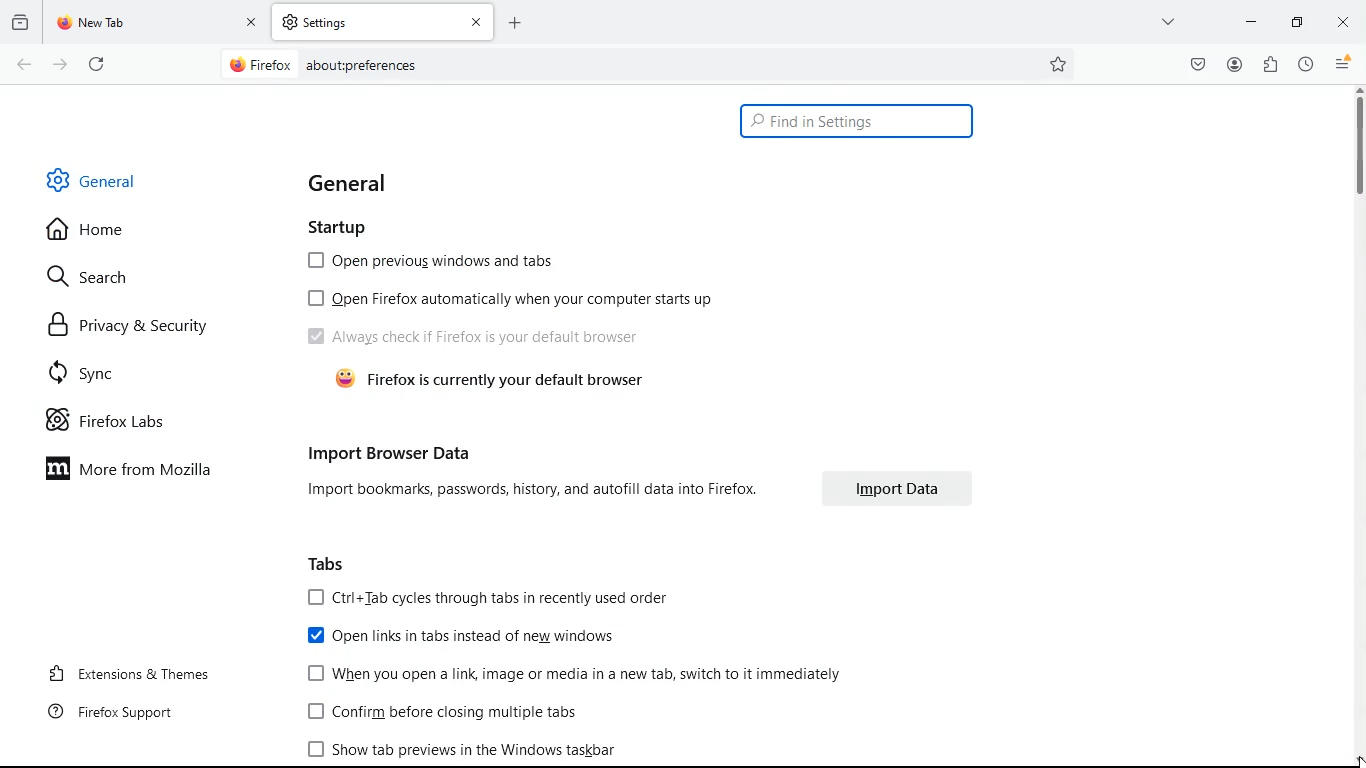 The height and width of the screenshot is (768, 1366). Describe the element at coordinates (1295, 21) in the screenshot. I see `minimize` at that location.